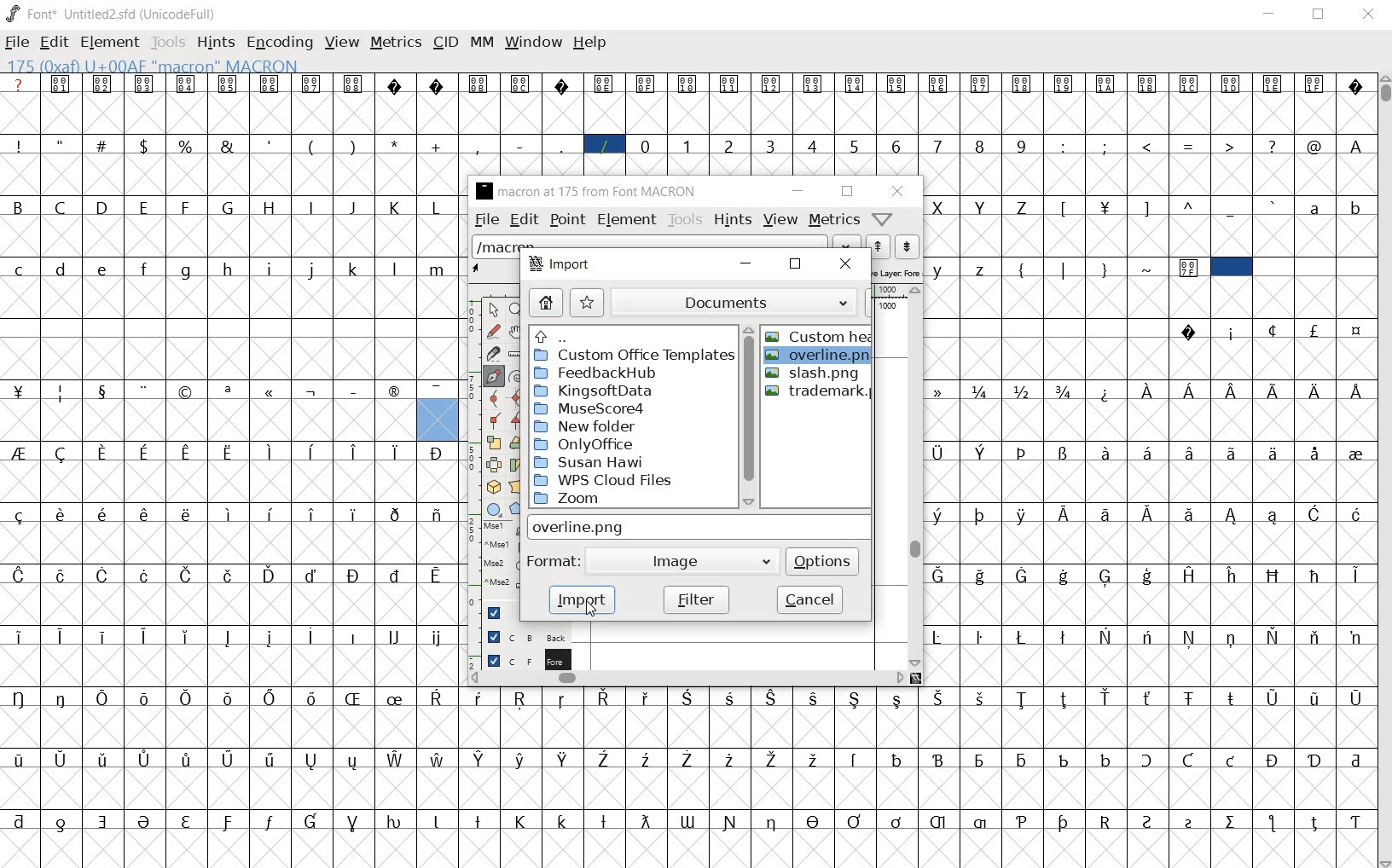  I want to click on metrics, so click(397, 42).